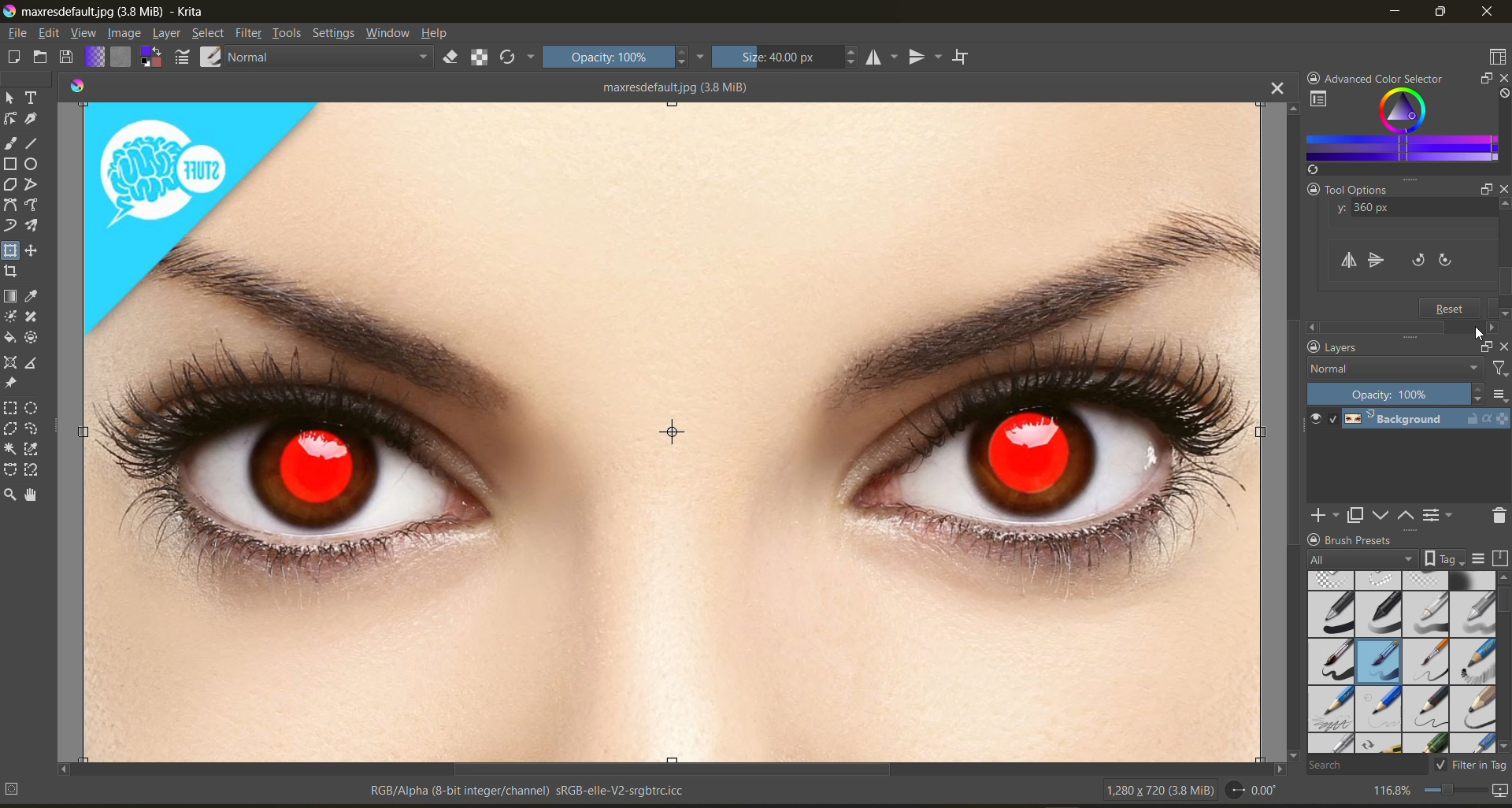 This screenshot has width=1512, height=808. I want to click on close docker, so click(1501, 77).